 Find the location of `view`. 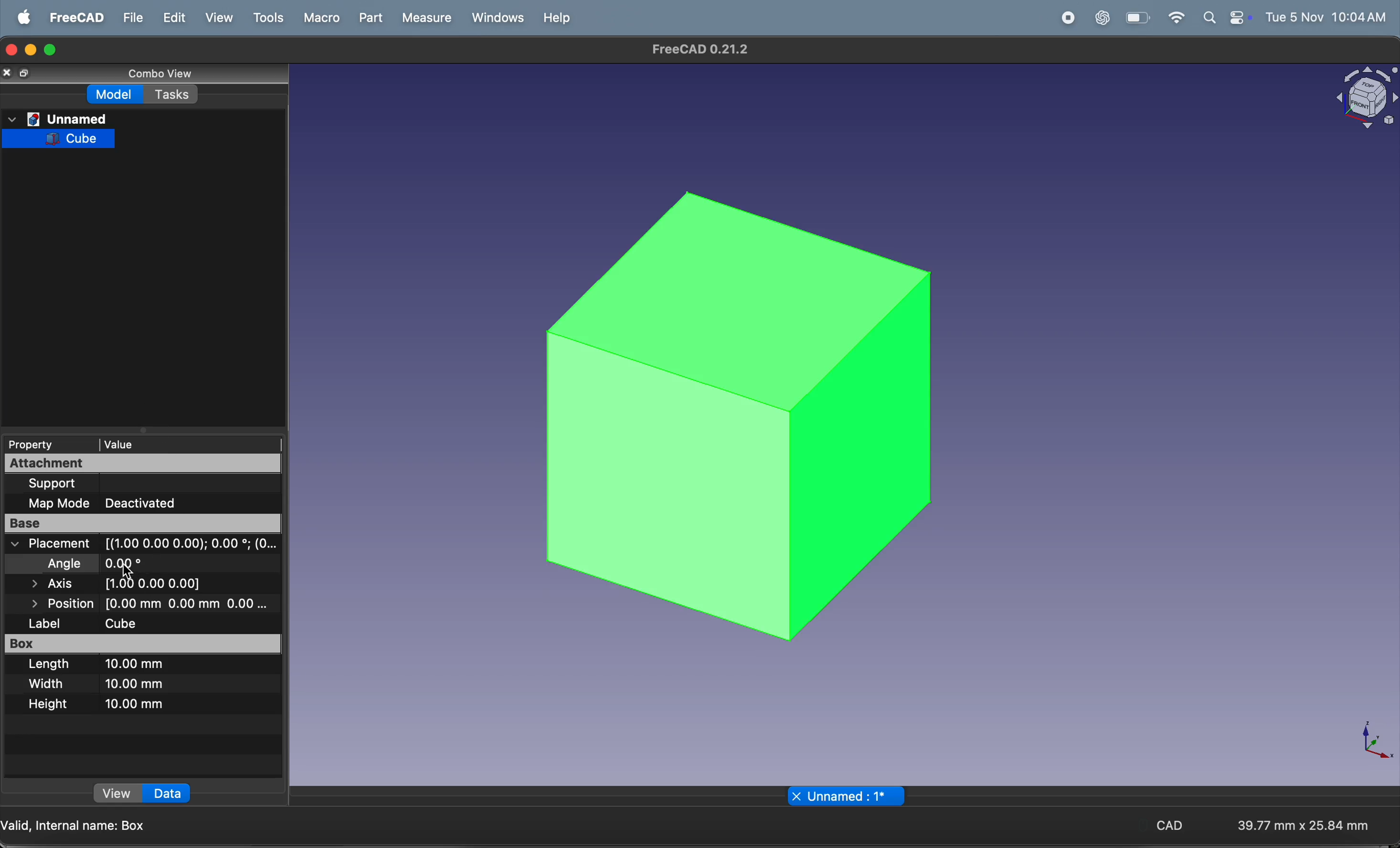

view is located at coordinates (115, 795).